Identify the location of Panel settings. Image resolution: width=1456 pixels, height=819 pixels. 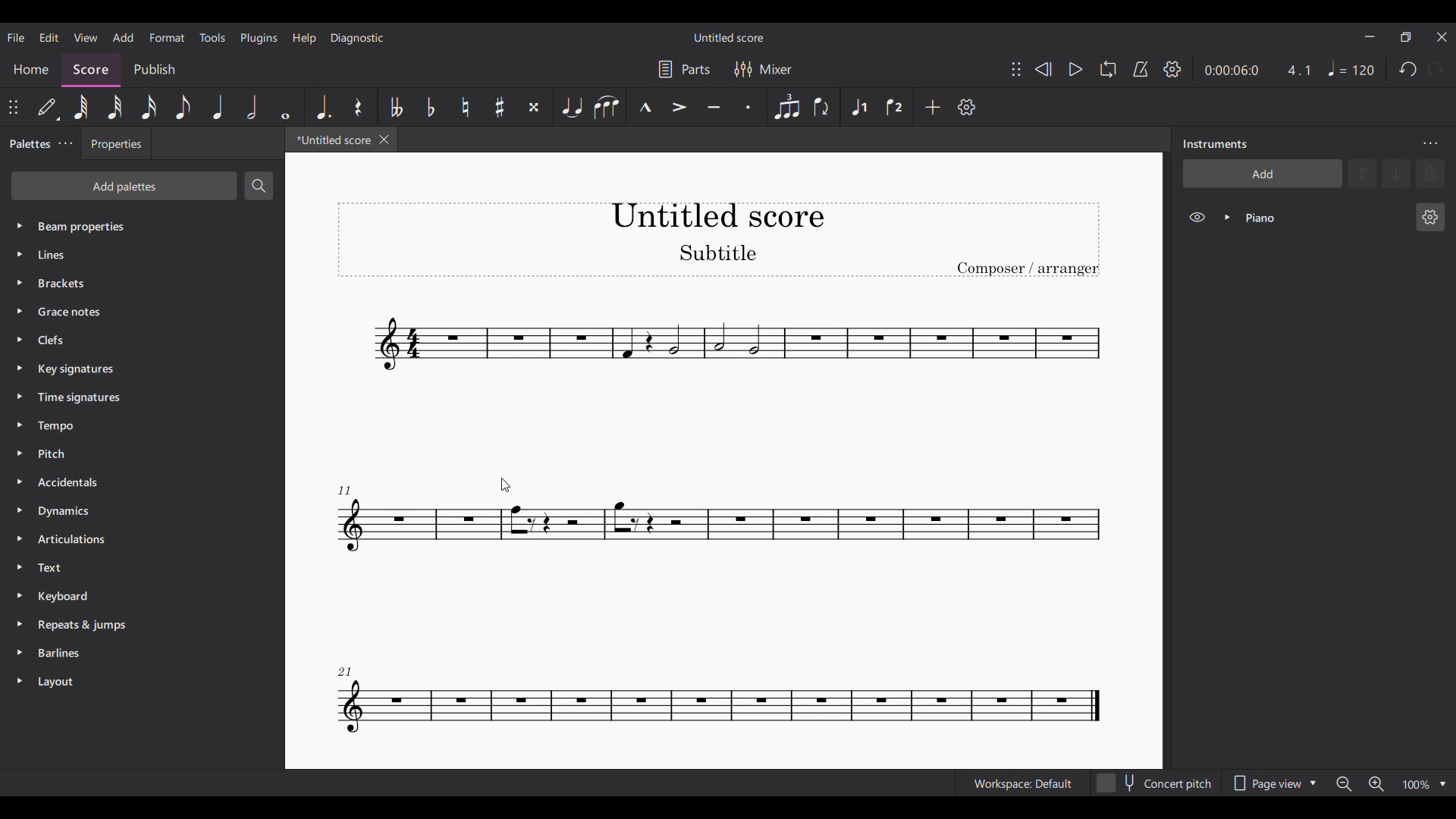
(1430, 144).